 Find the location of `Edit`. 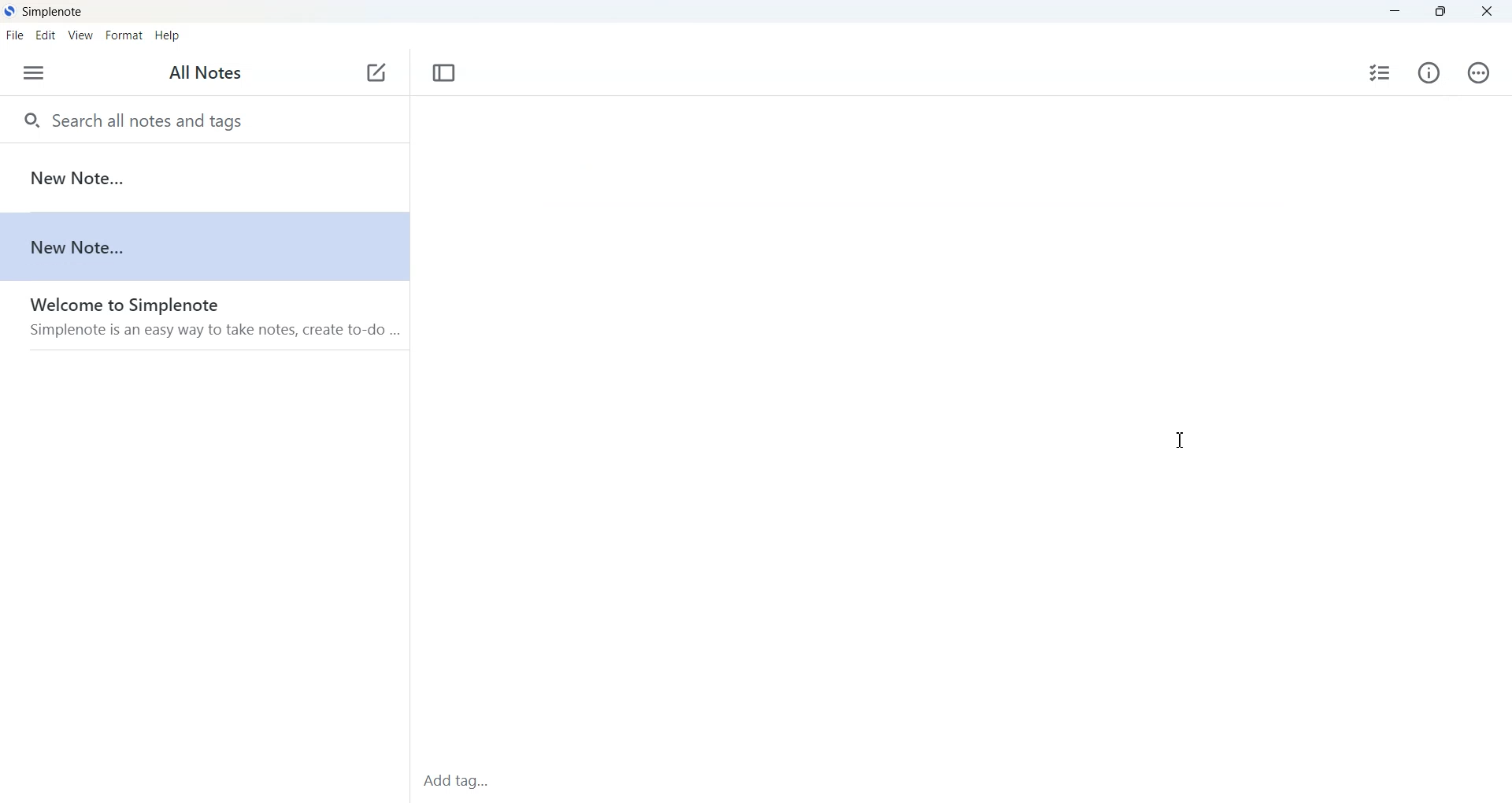

Edit is located at coordinates (46, 35).